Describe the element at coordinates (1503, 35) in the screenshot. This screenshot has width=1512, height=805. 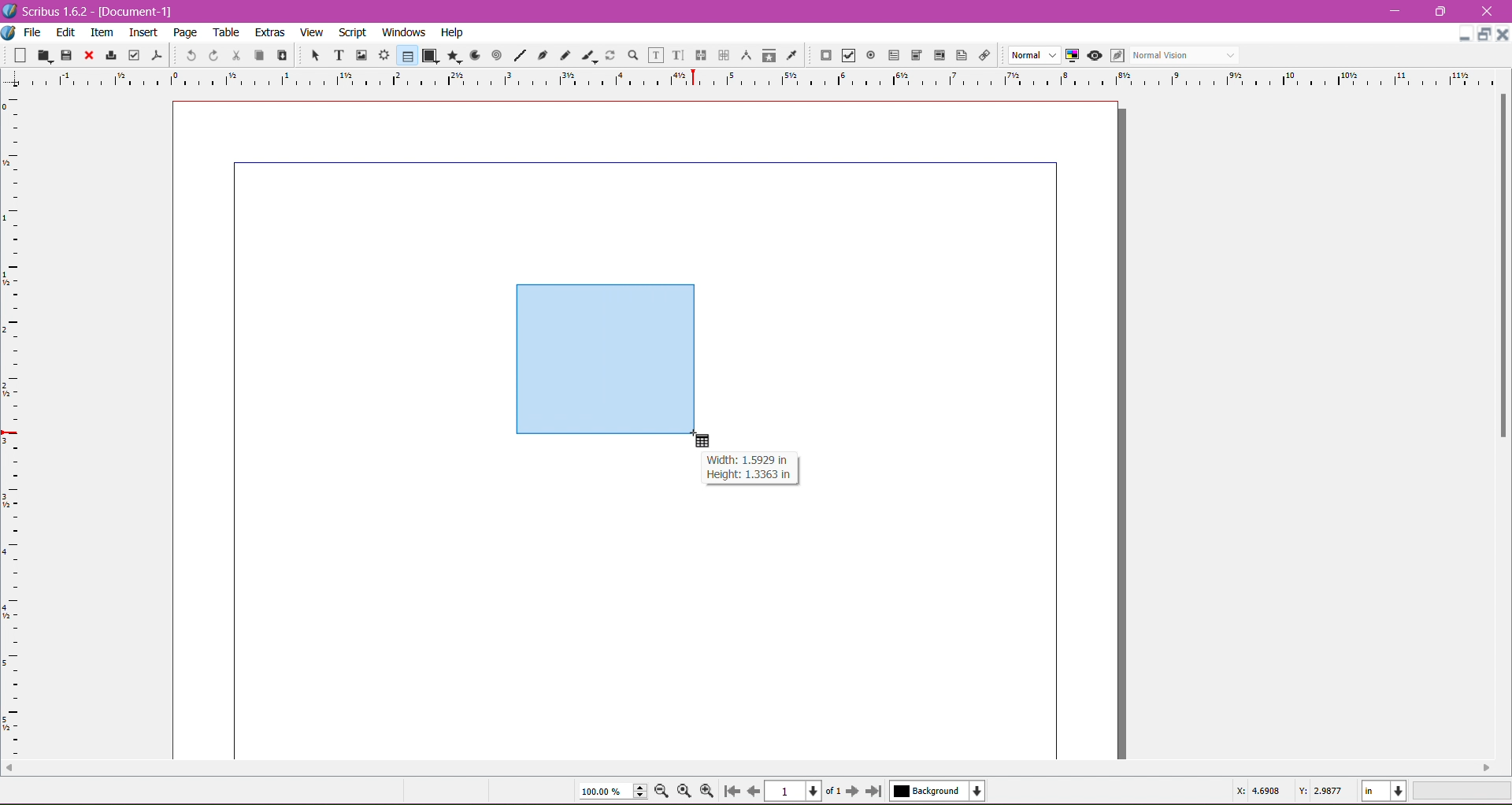
I see `close` at that location.